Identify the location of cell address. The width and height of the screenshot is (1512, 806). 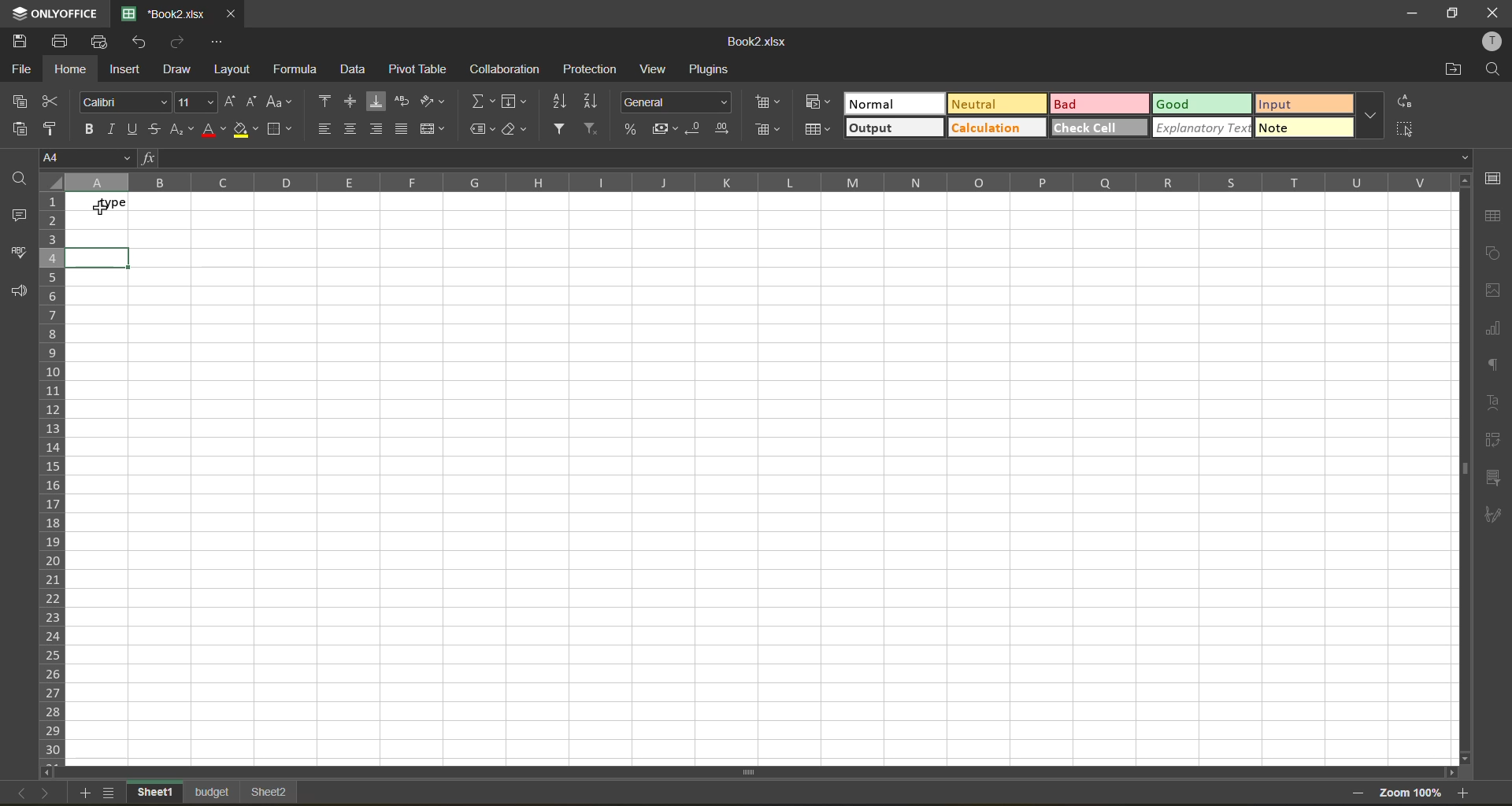
(90, 157).